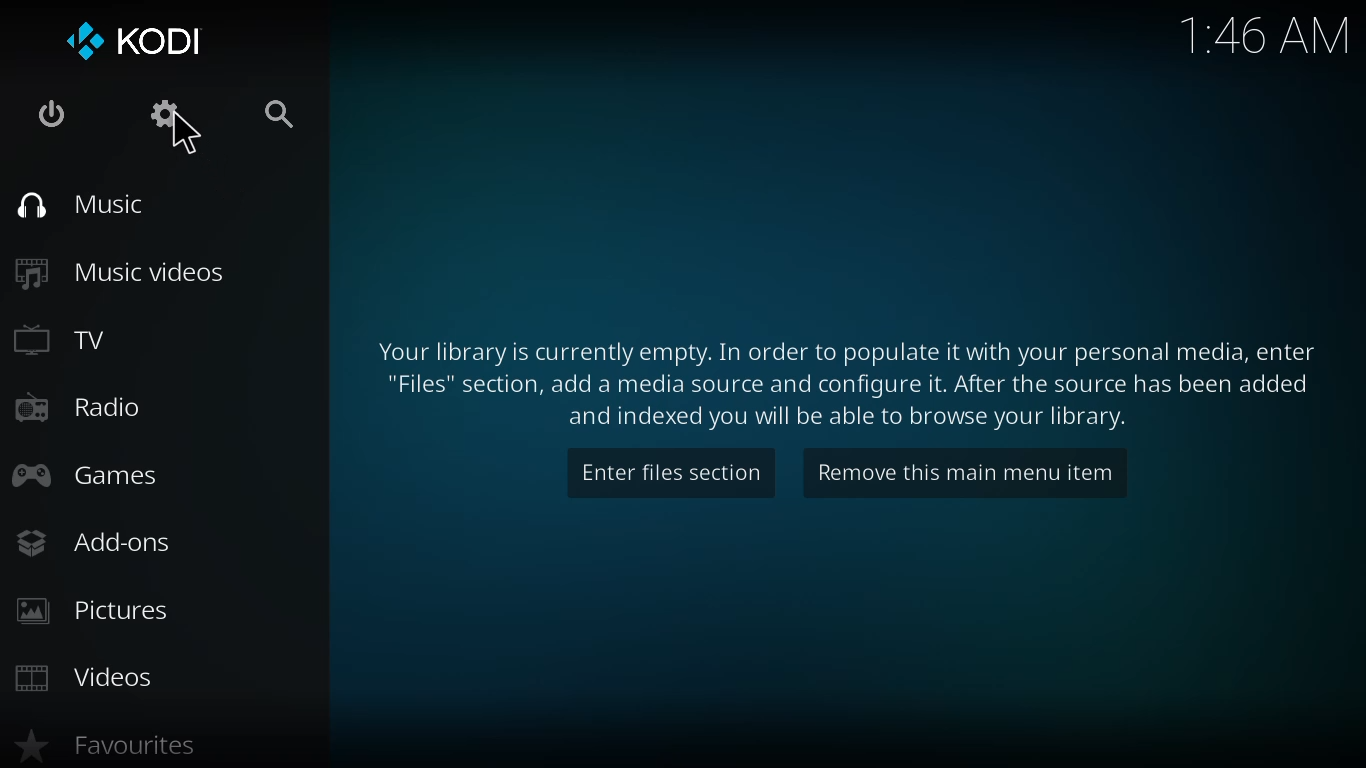 The width and height of the screenshot is (1366, 768). What do you see at coordinates (92, 540) in the screenshot?
I see `add-ons` at bounding box center [92, 540].